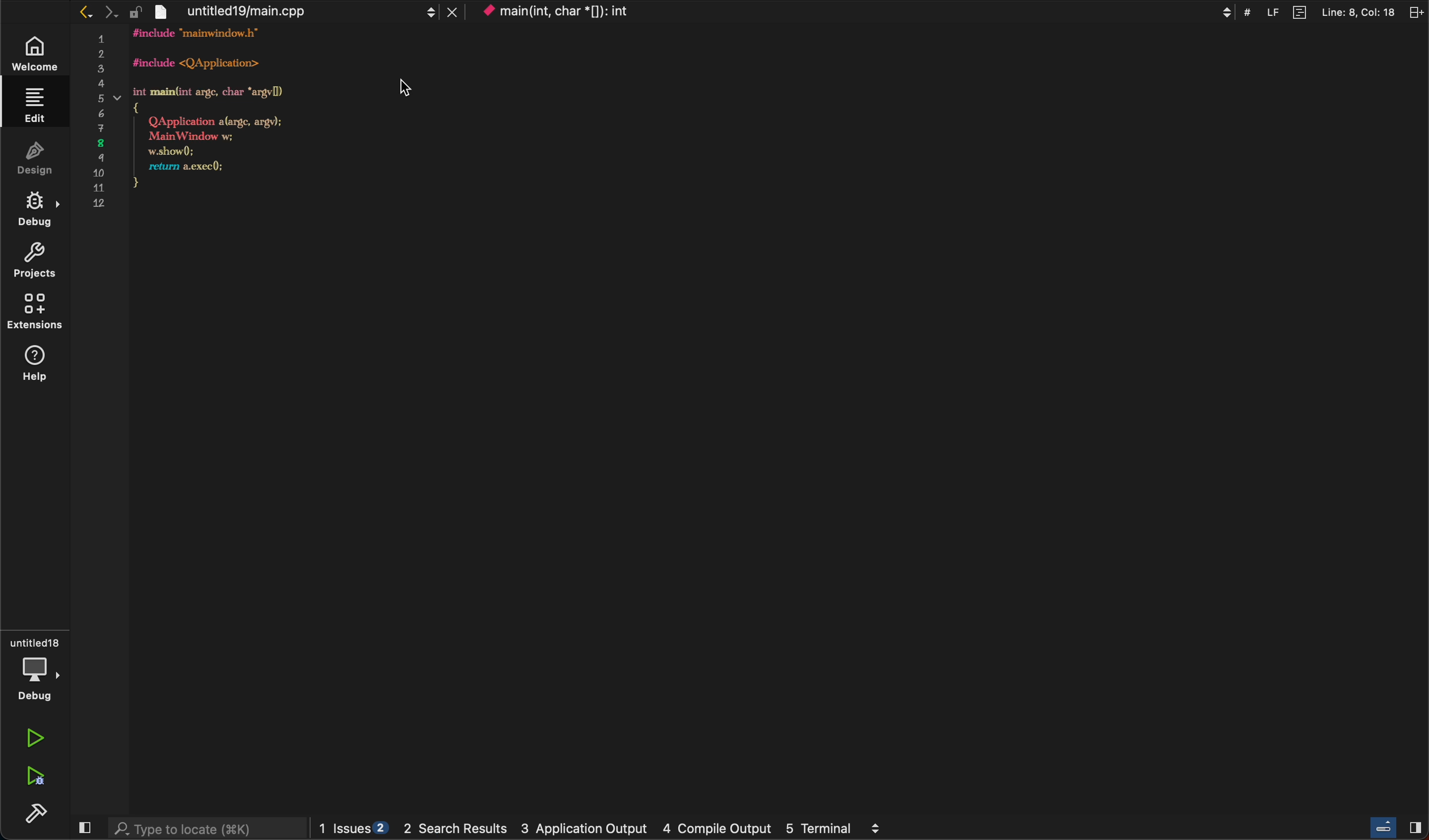 This screenshot has height=840, width=1429. I want to click on arrows, so click(108, 12).